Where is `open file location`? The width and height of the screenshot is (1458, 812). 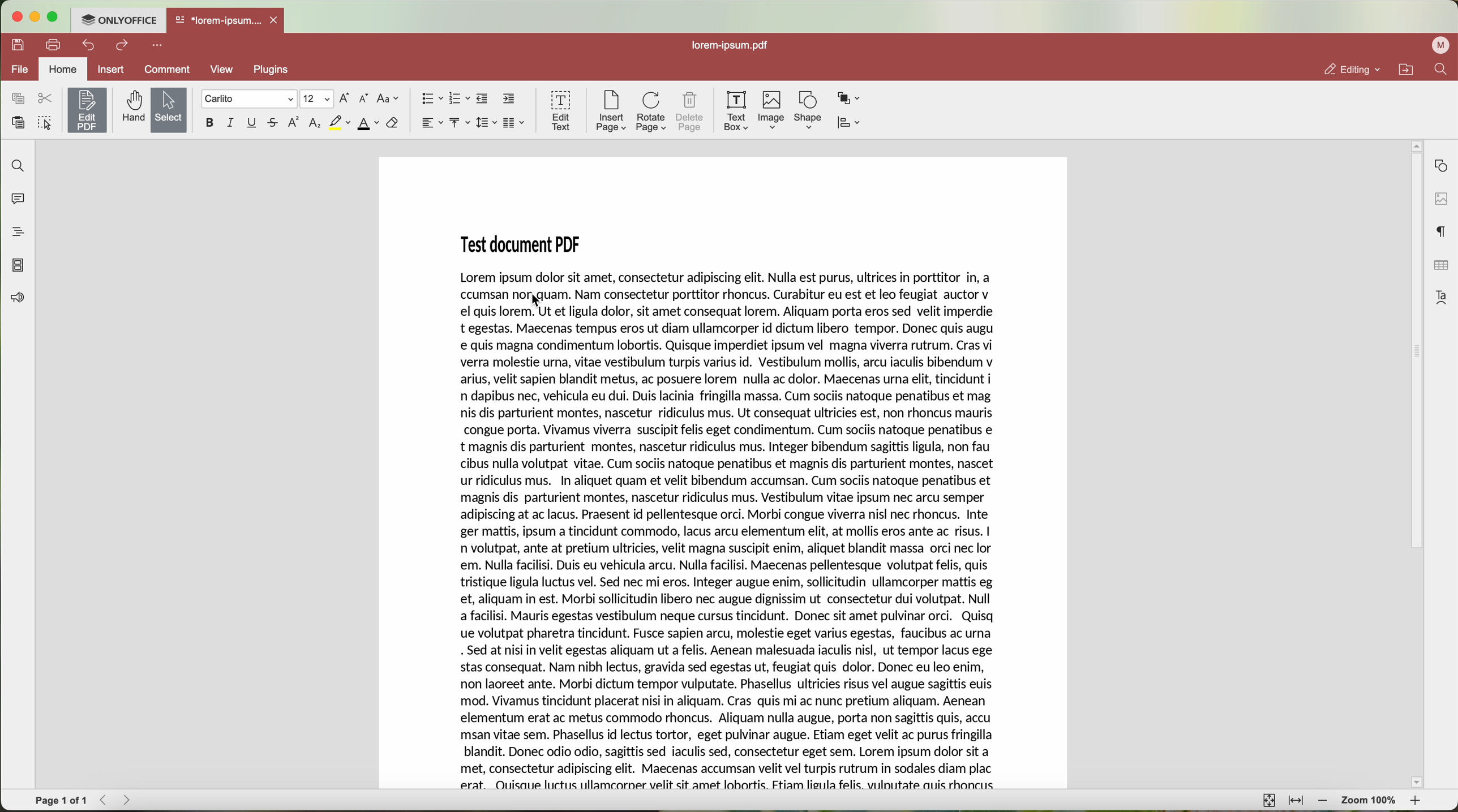 open file location is located at coordinates (1405, 69).